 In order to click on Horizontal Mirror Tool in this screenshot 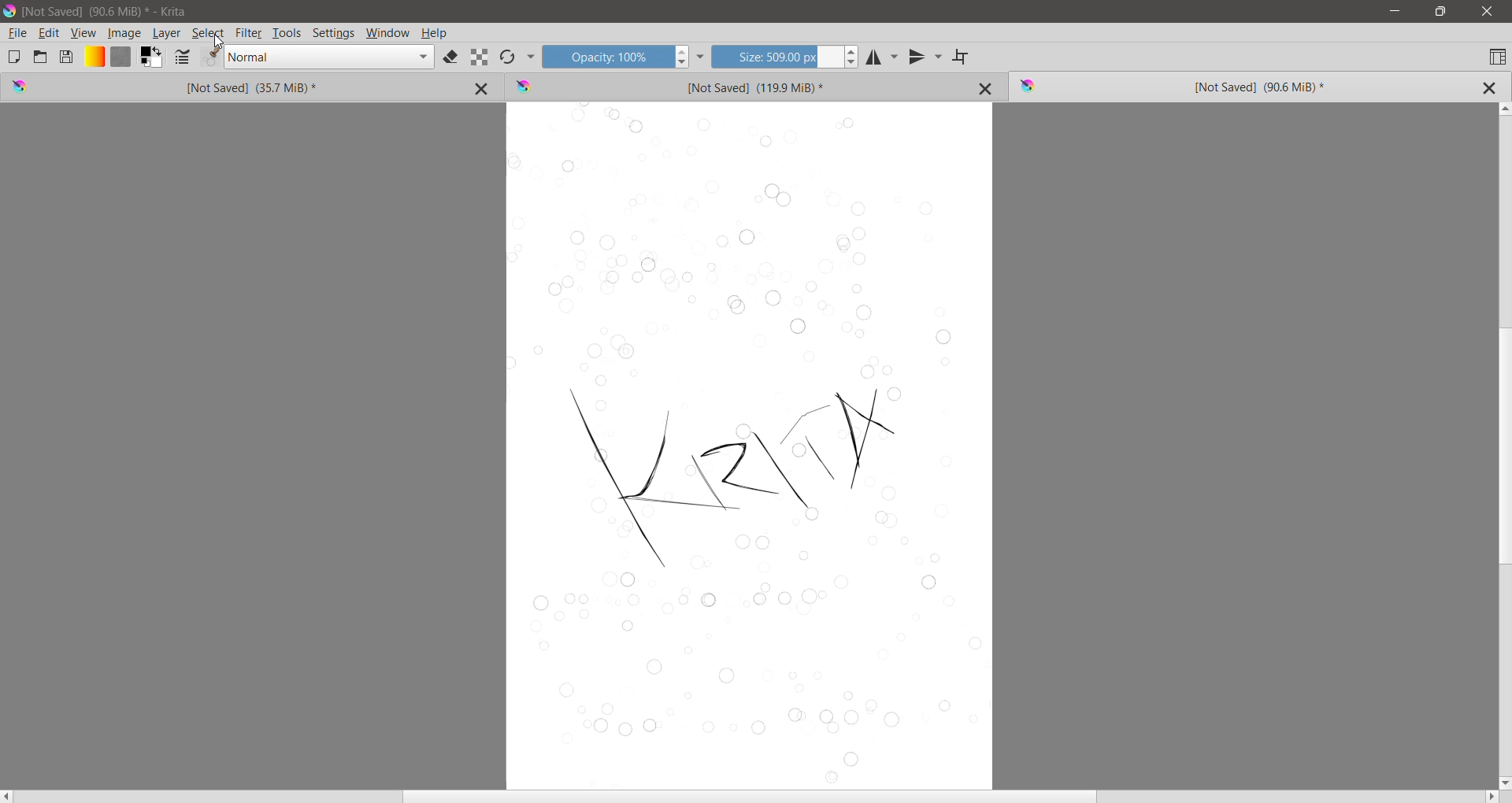, I will do `click(883, 56)`.